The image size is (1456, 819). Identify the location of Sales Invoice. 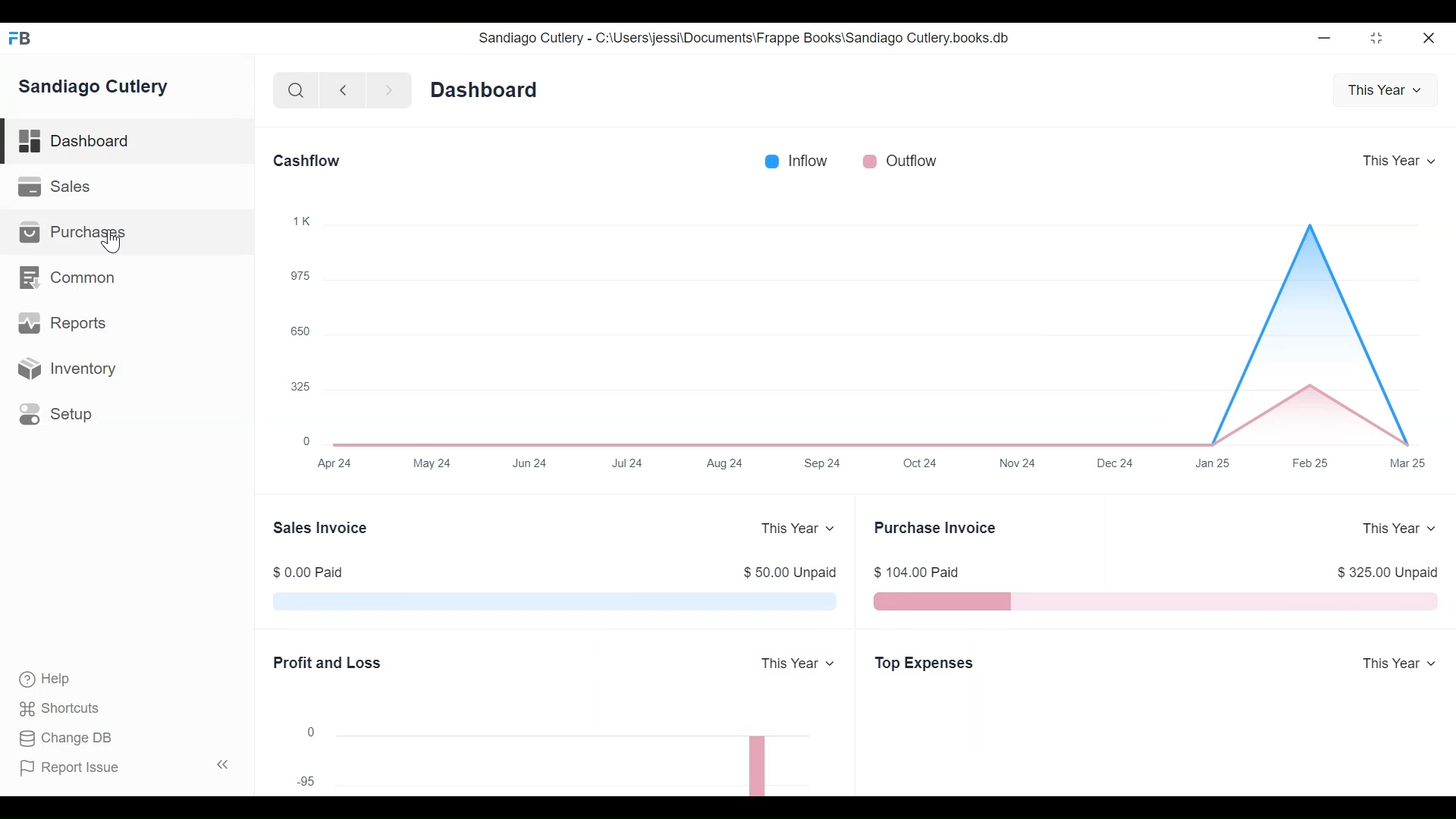
(325, 529).